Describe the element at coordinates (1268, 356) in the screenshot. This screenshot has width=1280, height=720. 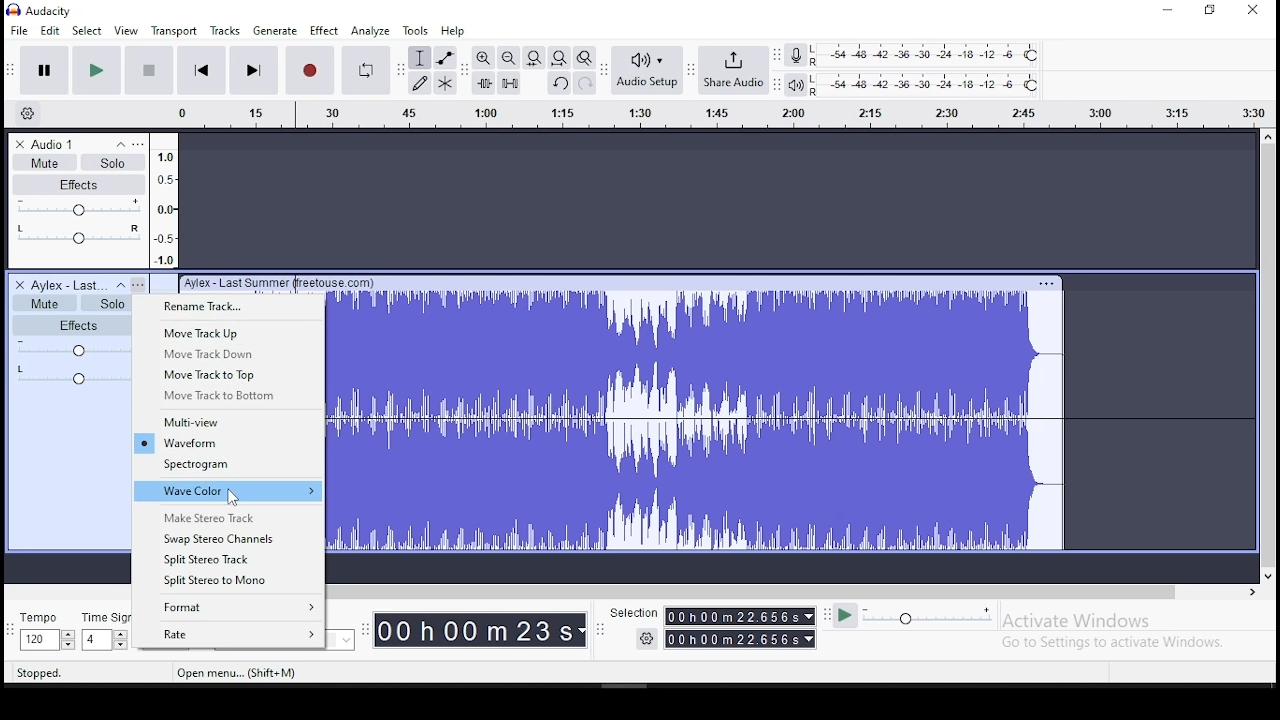
I see `scroll bar` at that location.